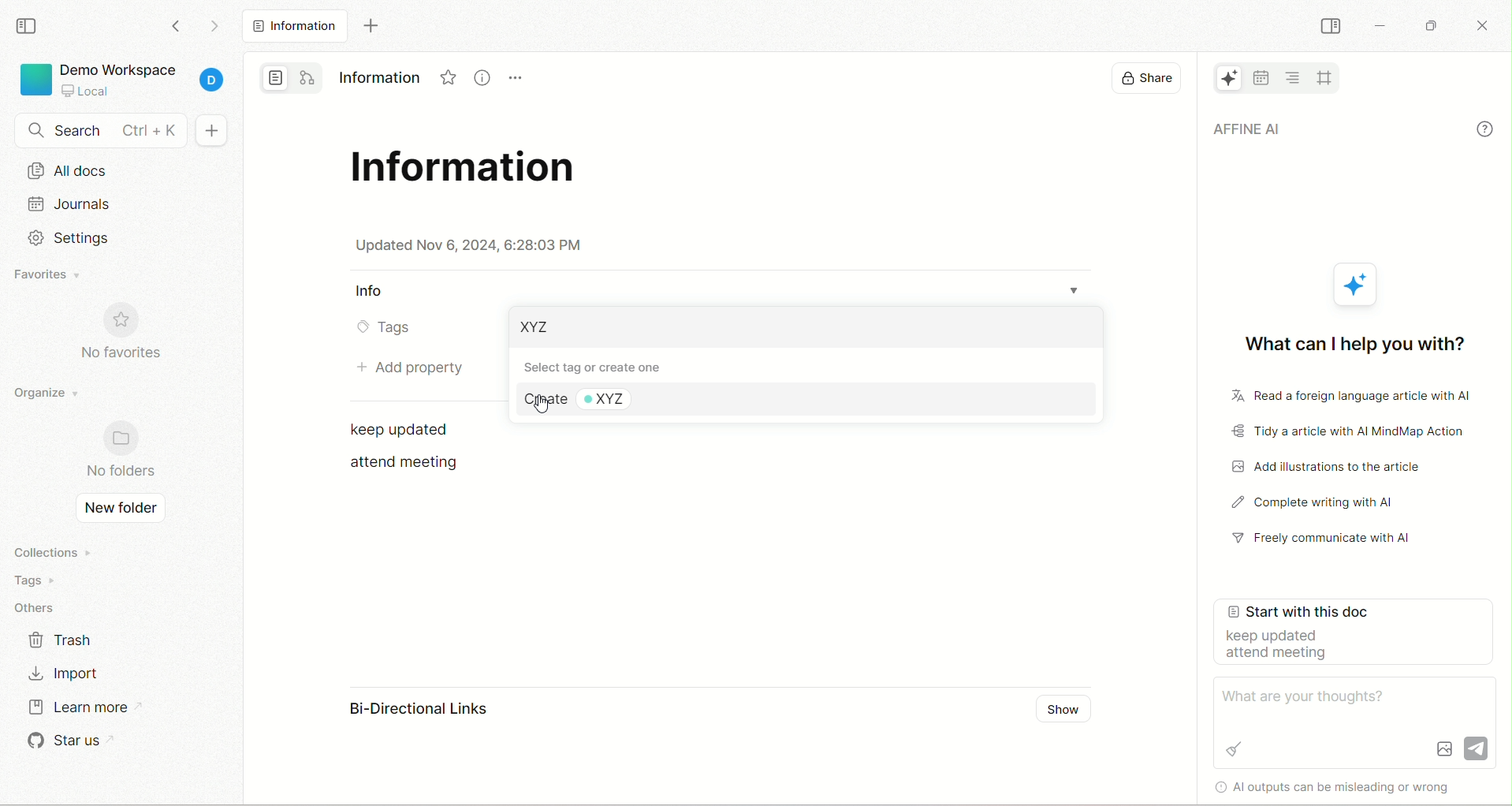 Image resolution: width=1512 pixels, height=806 pixels. Describe the element at coordinates (1434, 22) in the screenshot. I see `maximize` at that location.